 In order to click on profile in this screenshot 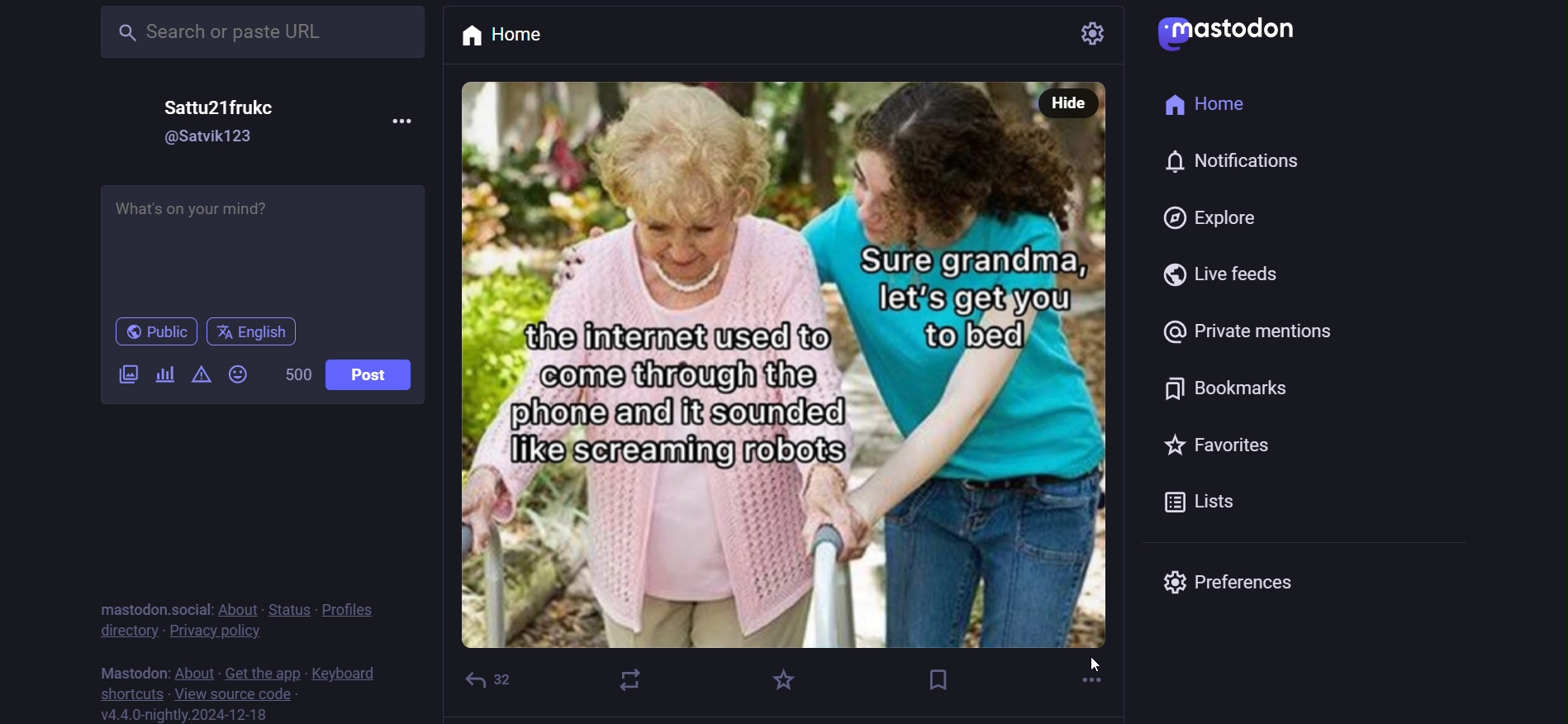, I will do `click(356, 607)`.